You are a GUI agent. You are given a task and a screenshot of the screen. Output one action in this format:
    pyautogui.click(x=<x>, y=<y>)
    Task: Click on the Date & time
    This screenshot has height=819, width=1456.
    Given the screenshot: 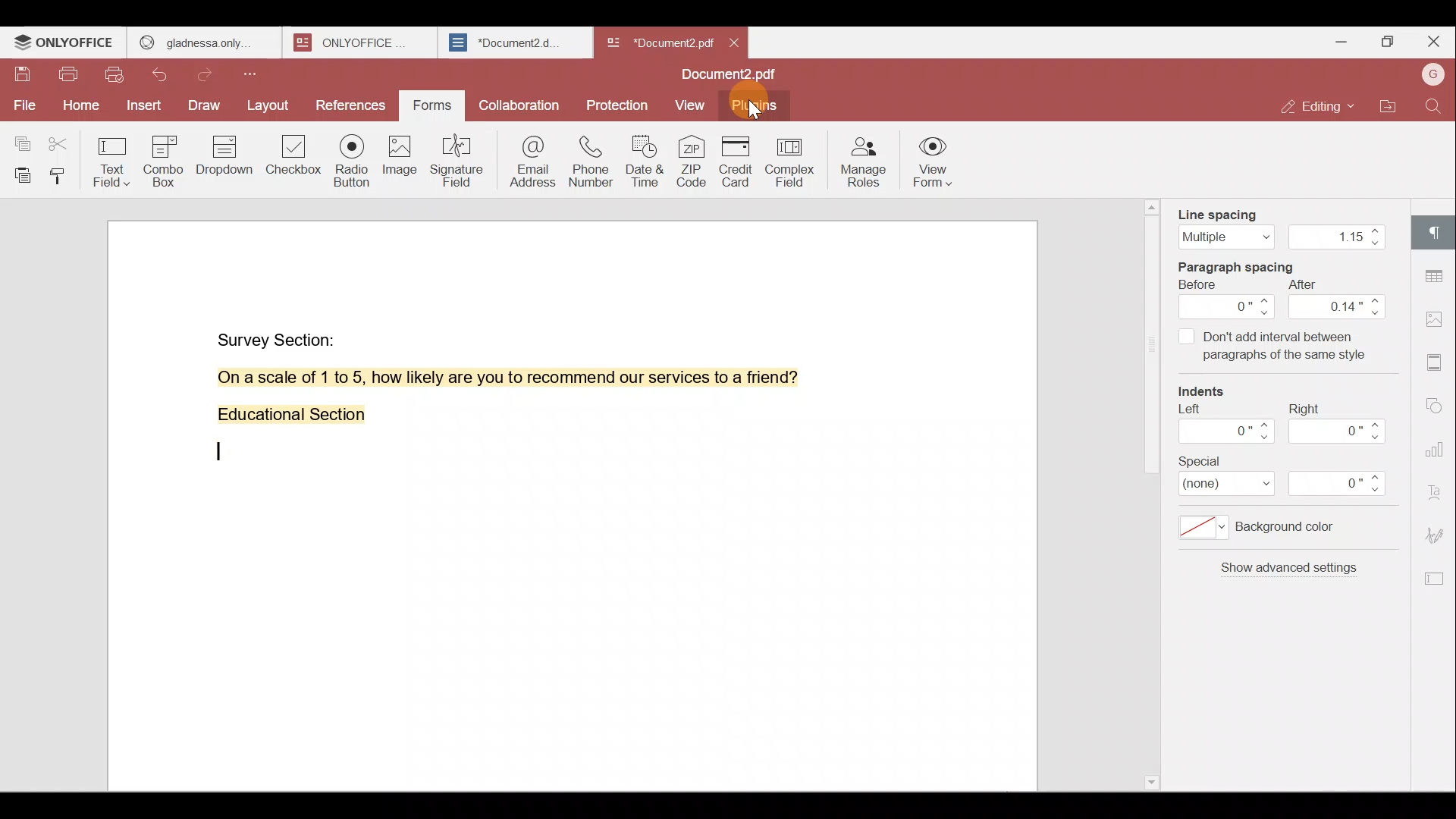 What is the action you would take?
    pyautogui.click(x=642, y=157)
    